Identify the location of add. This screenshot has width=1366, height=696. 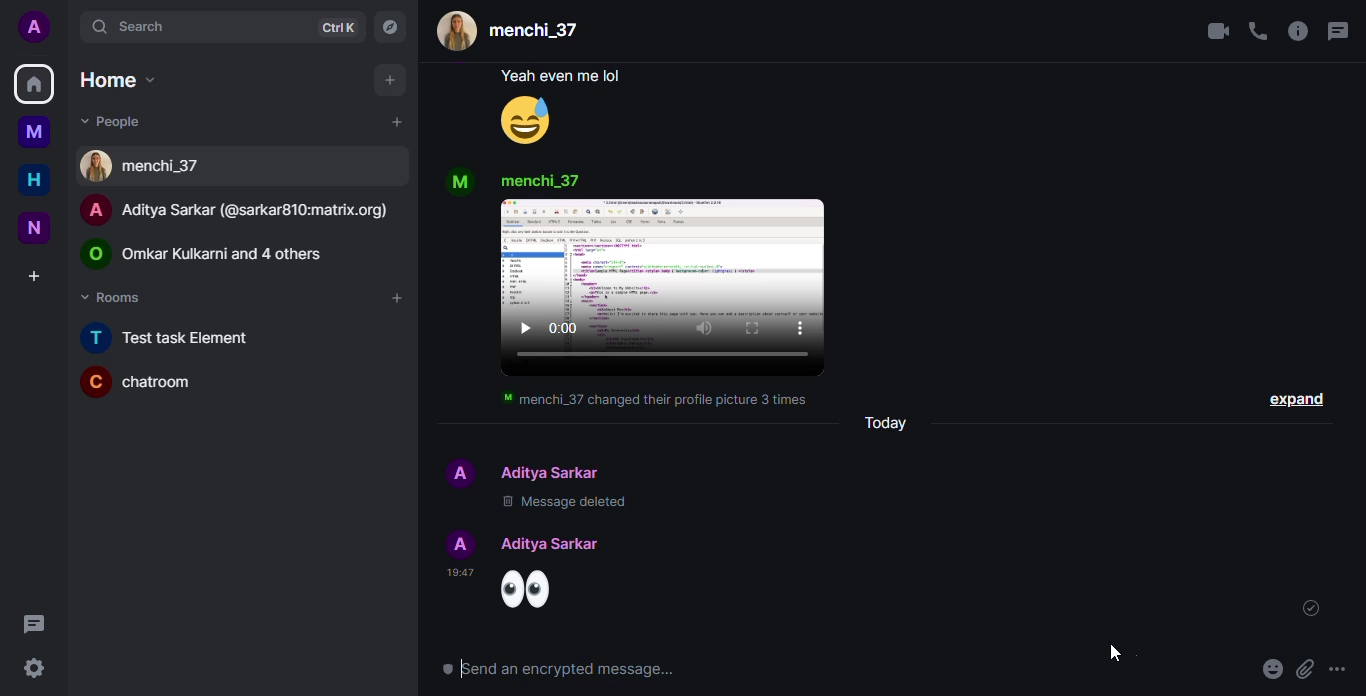
(385, 80).